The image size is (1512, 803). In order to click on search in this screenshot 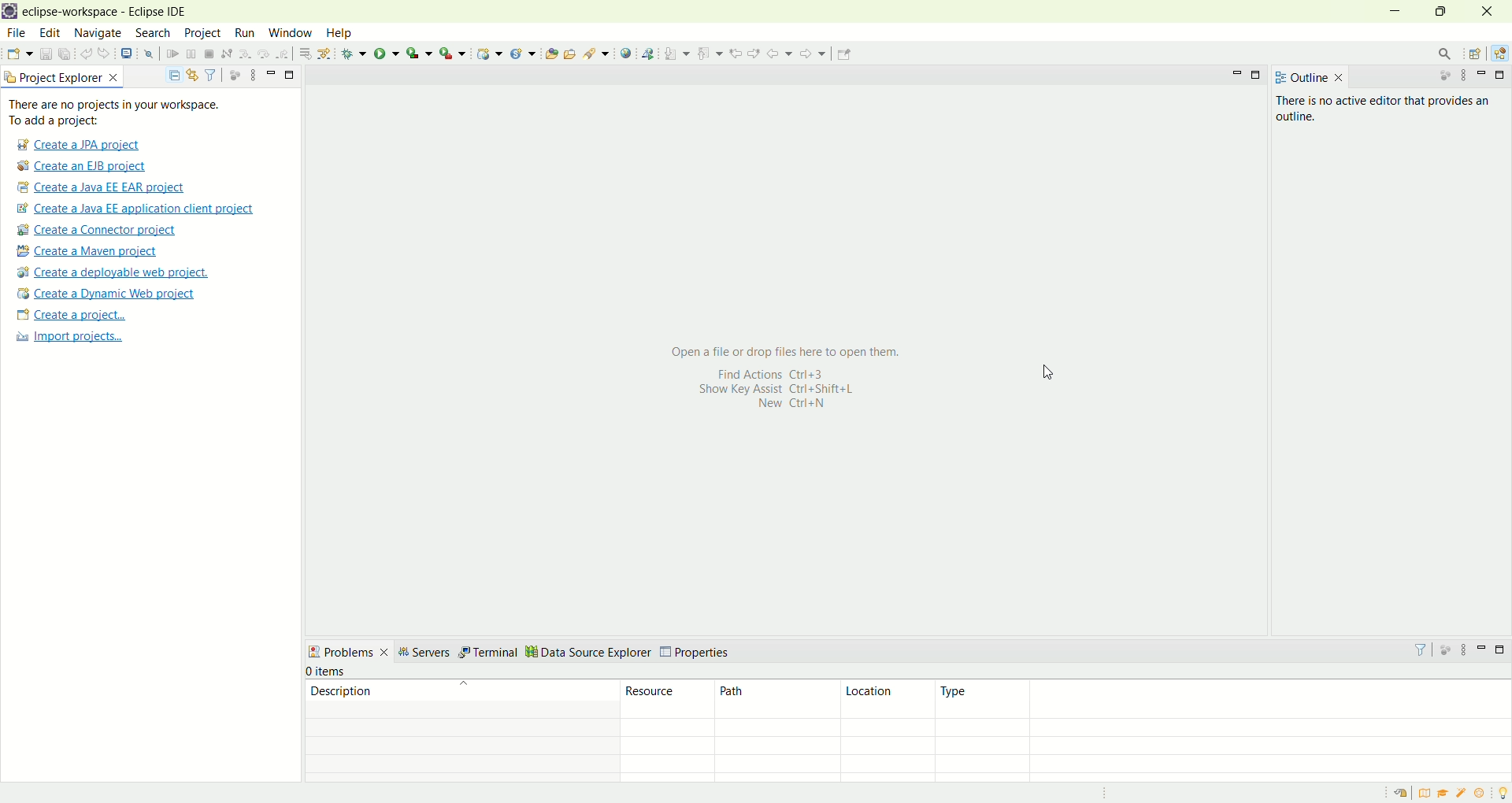, I will do `click(154, 34)`.